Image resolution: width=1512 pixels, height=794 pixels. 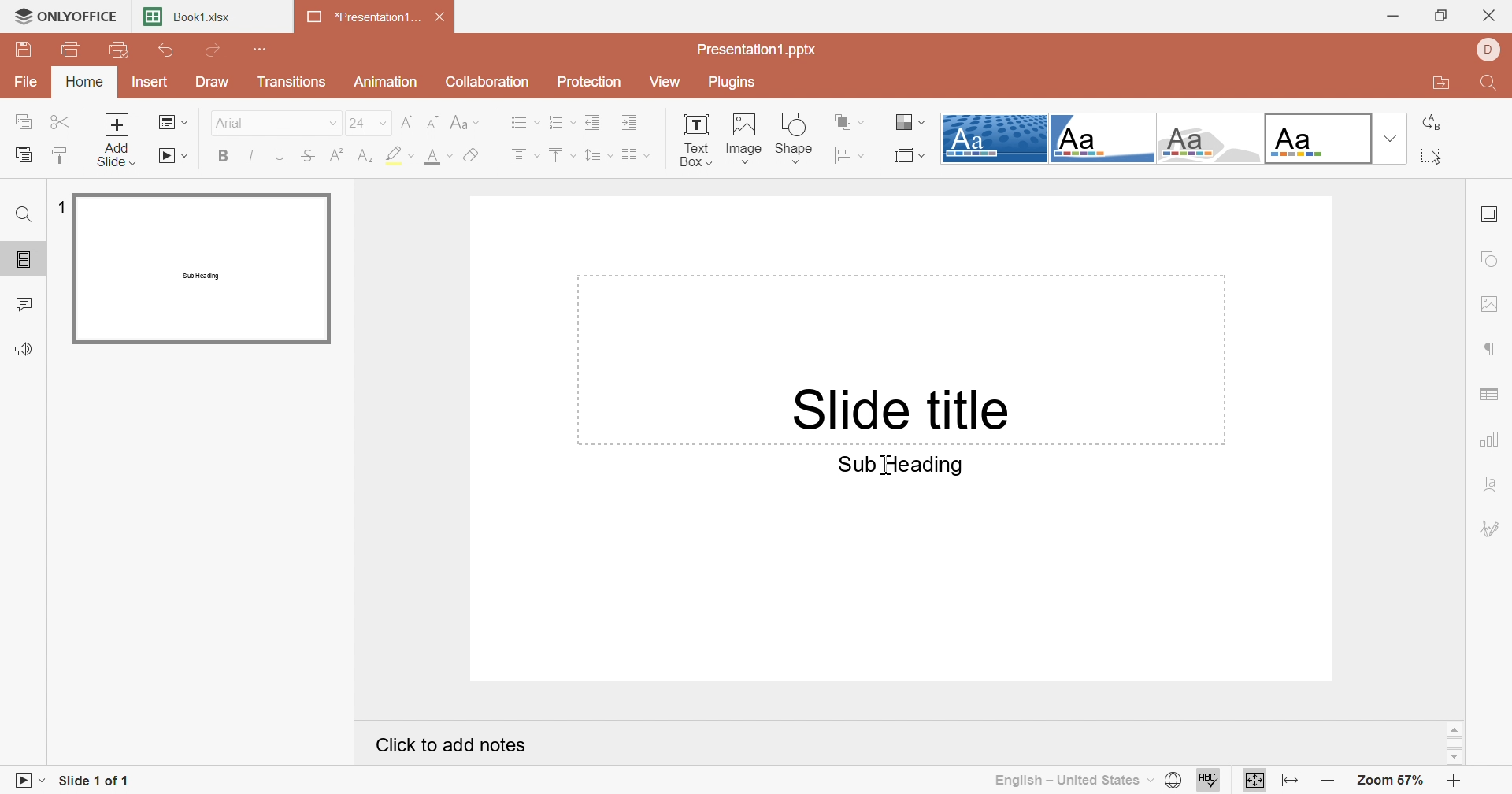 What do you see at coordinates (761, 50) in the screenshot?
I see `Presentation1.pptx` at bounding box center [761, 50].